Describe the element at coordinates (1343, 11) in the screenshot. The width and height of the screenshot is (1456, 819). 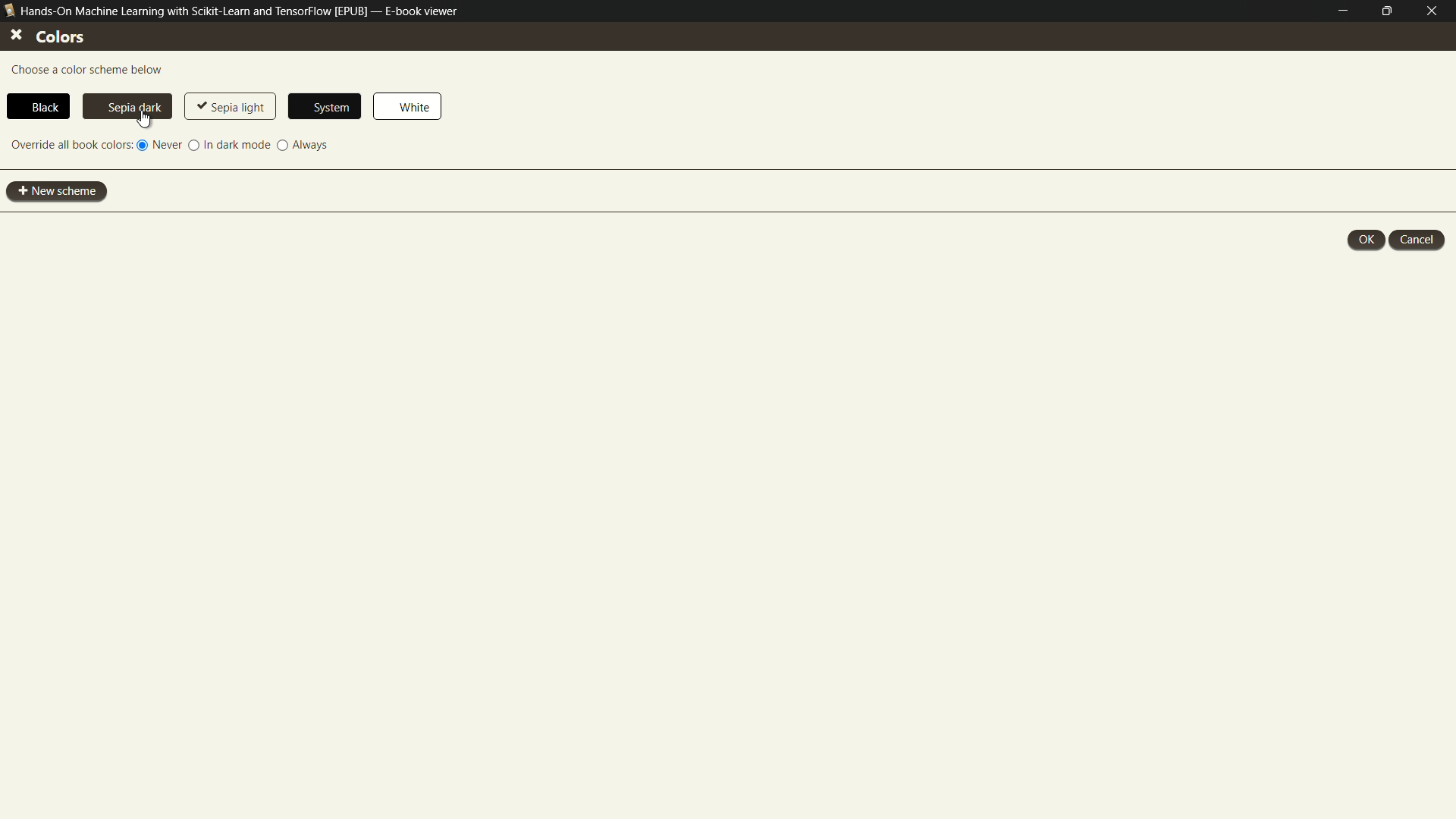
I see `minimize` at that location.